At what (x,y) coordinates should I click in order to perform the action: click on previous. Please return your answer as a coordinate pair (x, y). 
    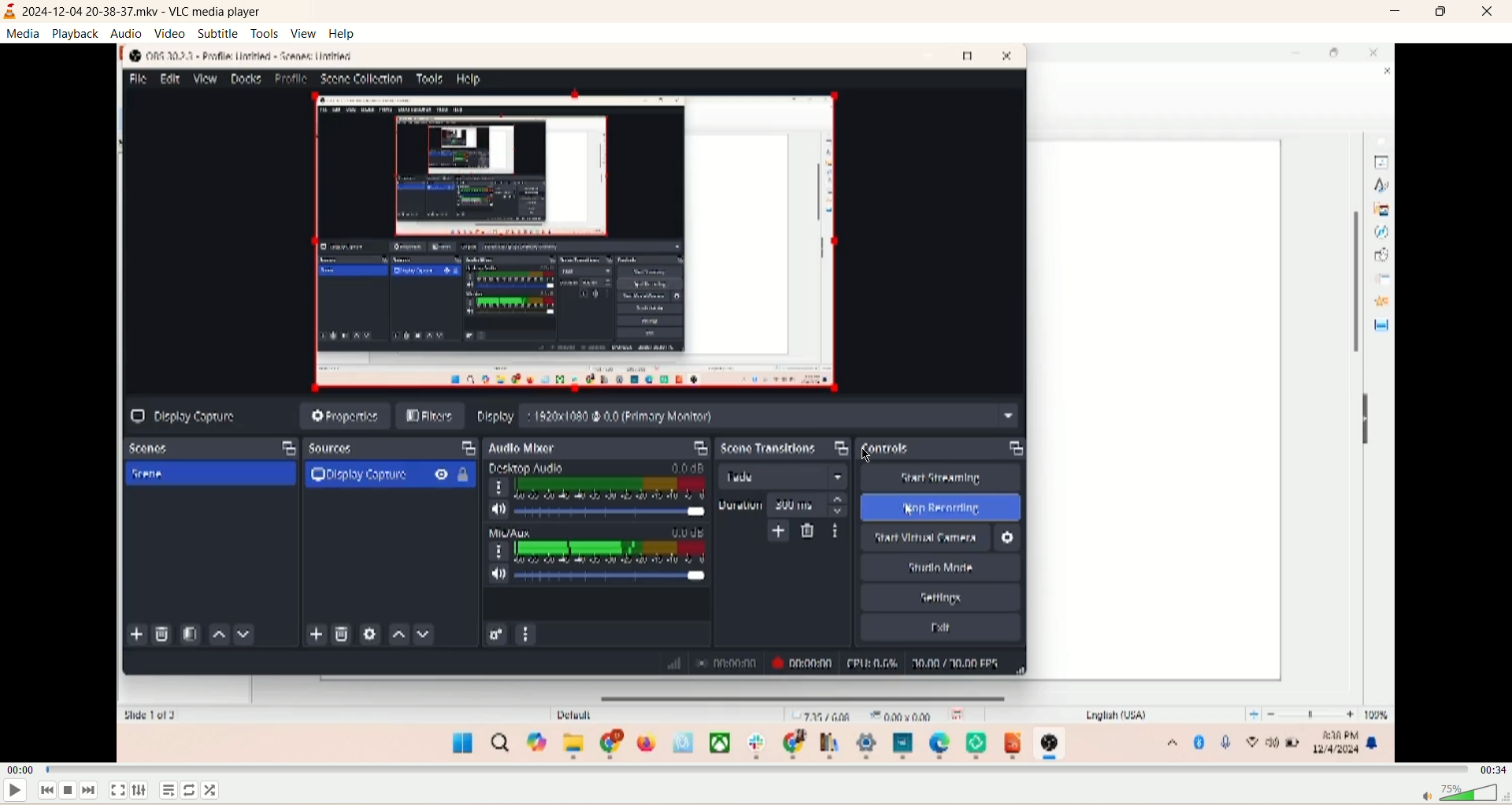
    Looking at the image, I should click on (46, 791).